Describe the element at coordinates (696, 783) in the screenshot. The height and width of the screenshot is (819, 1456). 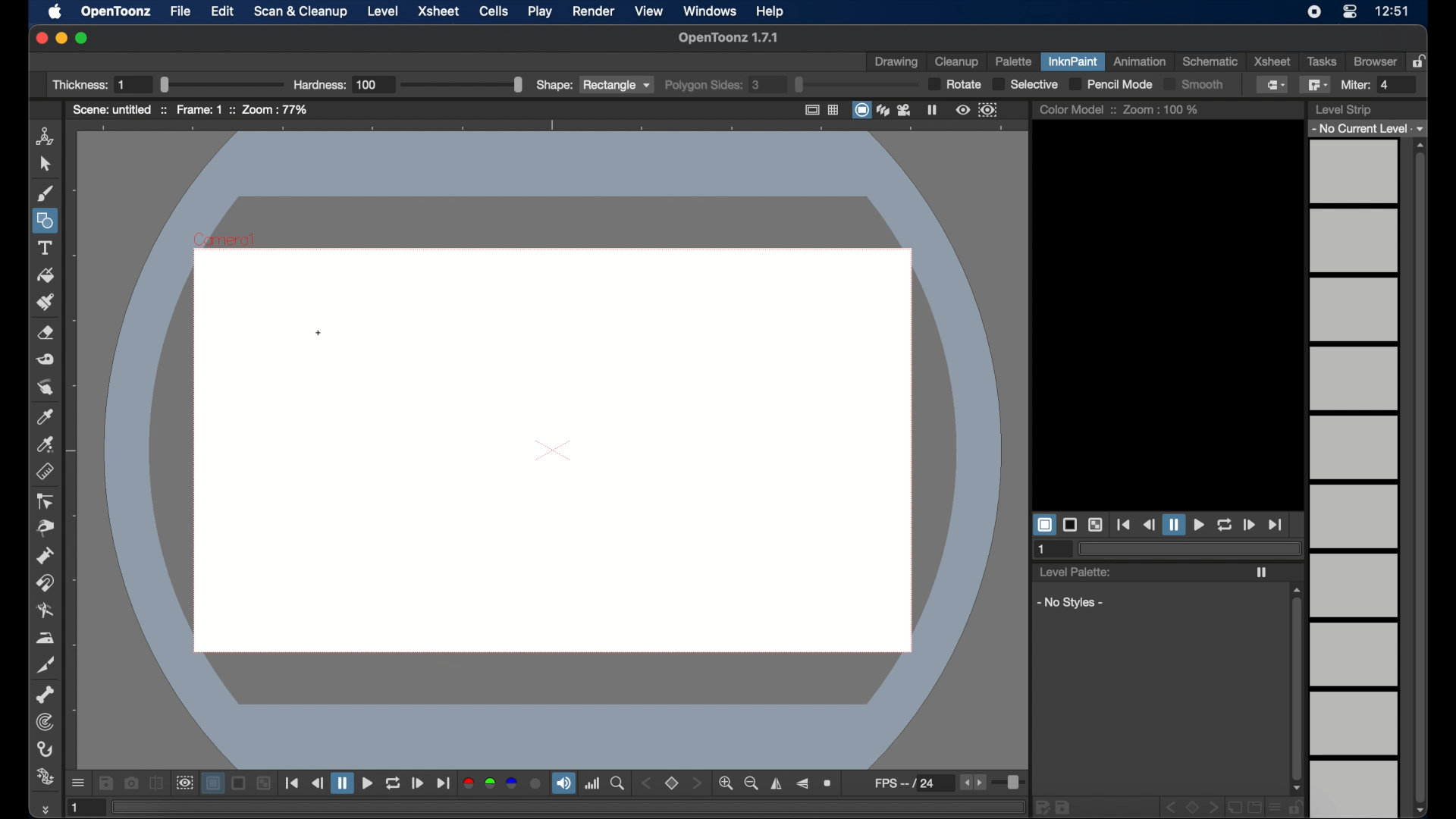
I see `stepper button` at that location.